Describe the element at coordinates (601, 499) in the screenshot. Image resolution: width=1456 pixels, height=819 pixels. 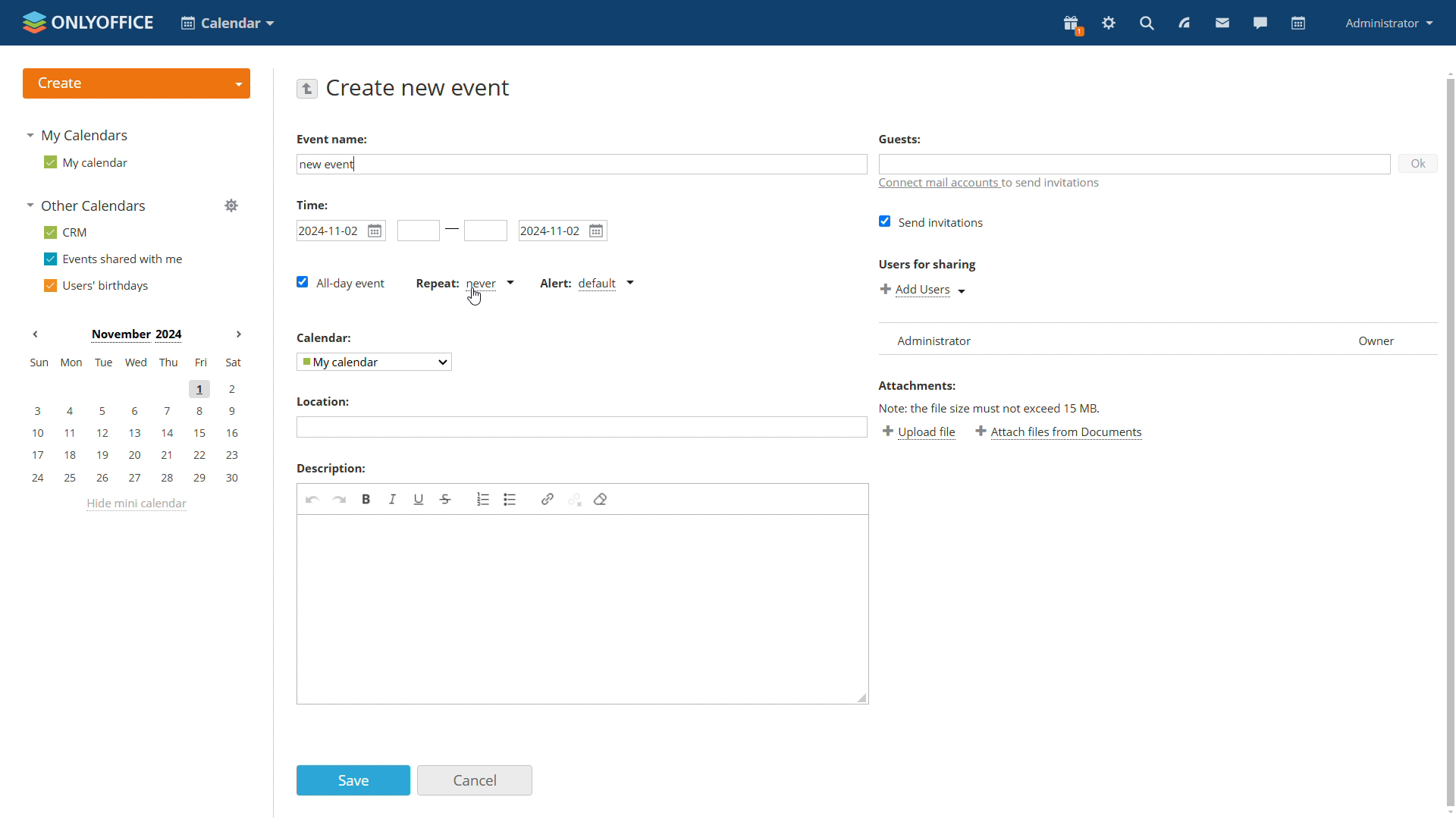
I see `remove format` at that location.